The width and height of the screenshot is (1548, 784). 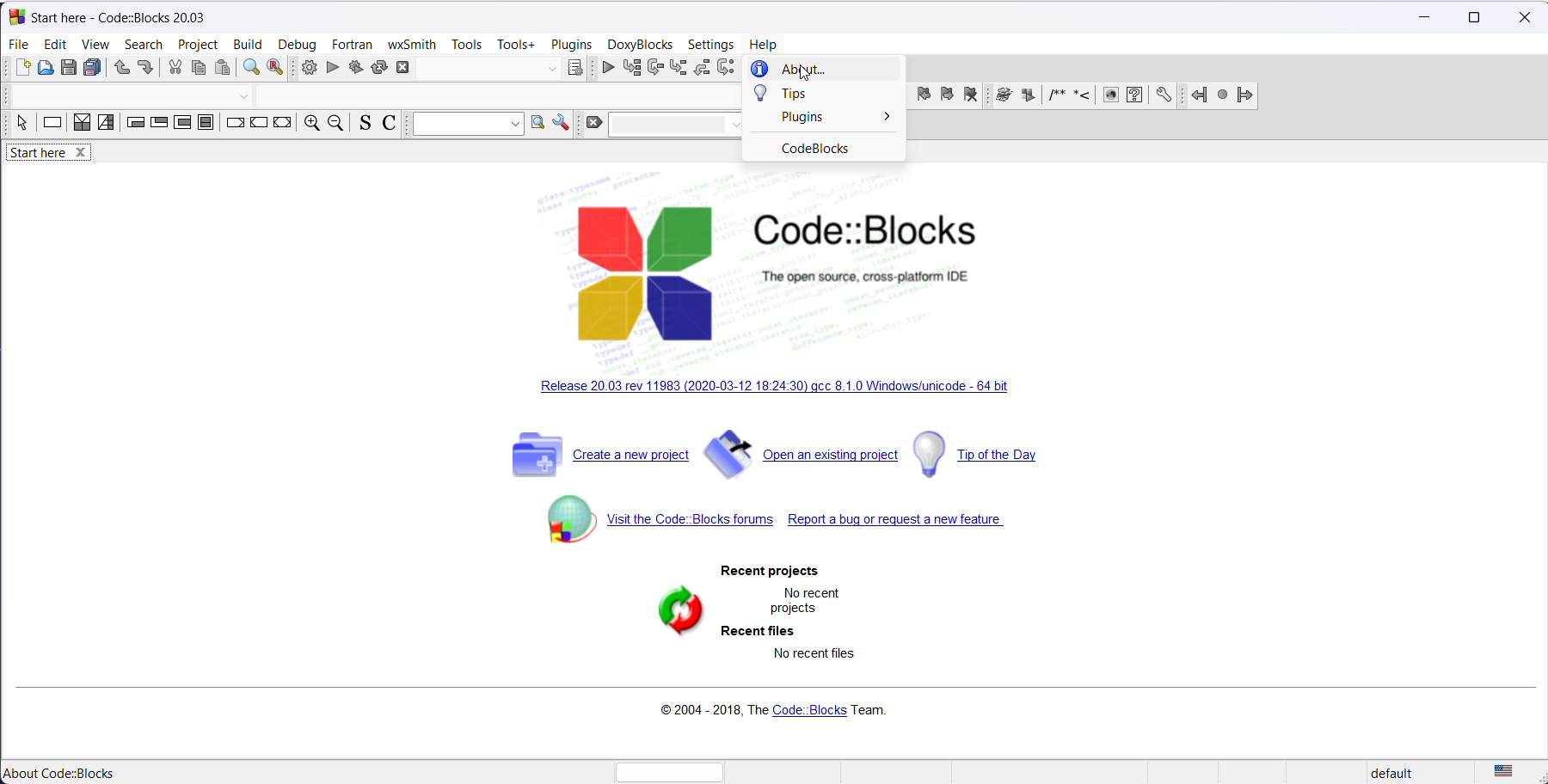 What do you see at coordinates (133, 125) in the screenshot?
I see `entry condition loop` at bounding box center [133, 125].